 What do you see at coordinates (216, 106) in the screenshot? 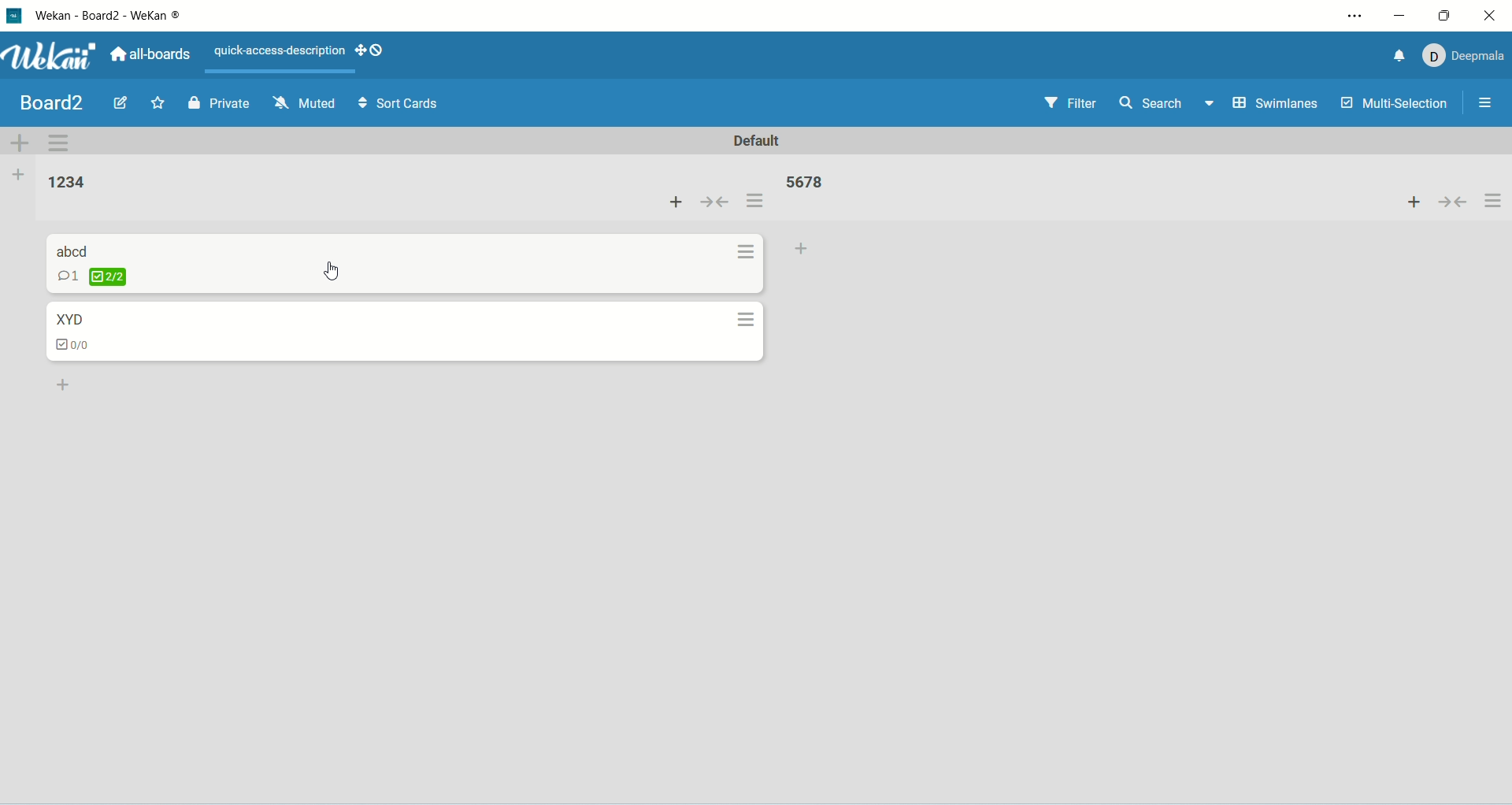
I see `private` at bounding box center [216, 106].